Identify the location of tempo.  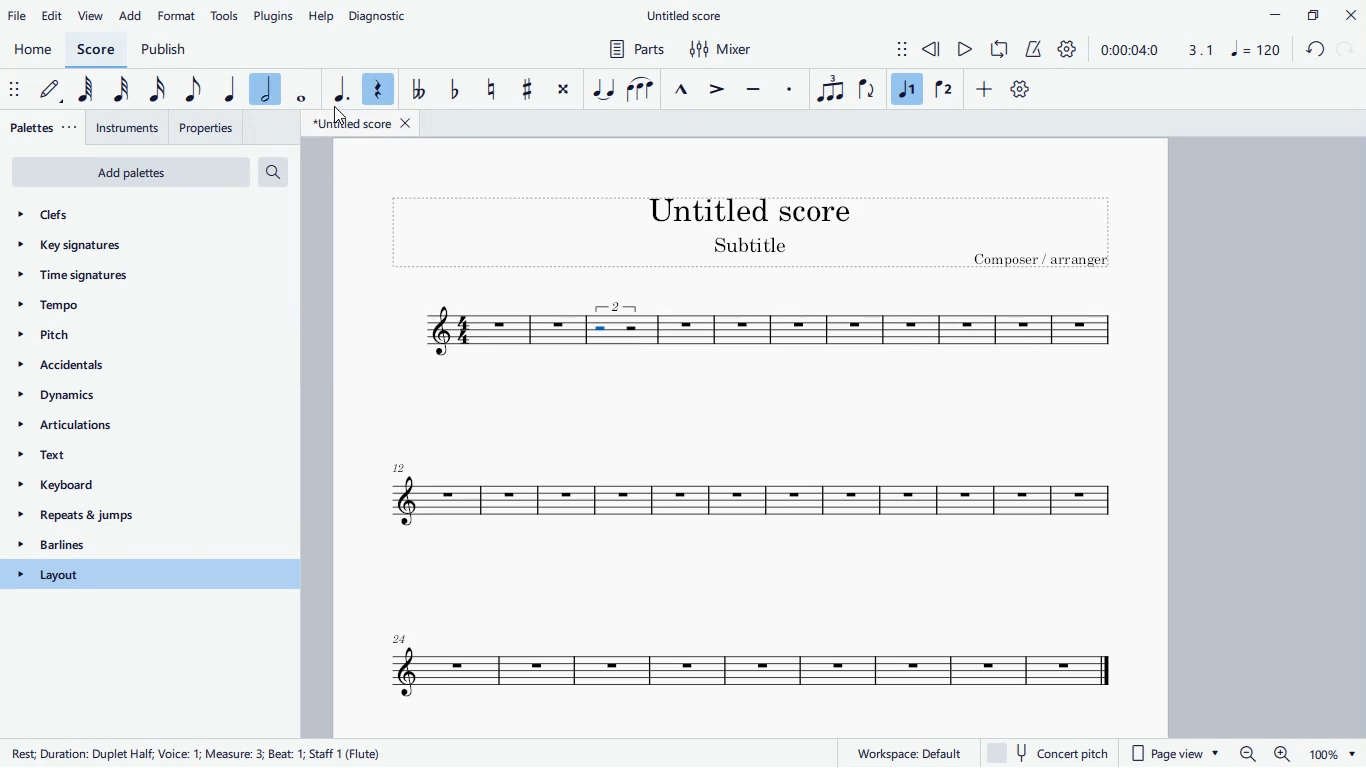
(117, 307).